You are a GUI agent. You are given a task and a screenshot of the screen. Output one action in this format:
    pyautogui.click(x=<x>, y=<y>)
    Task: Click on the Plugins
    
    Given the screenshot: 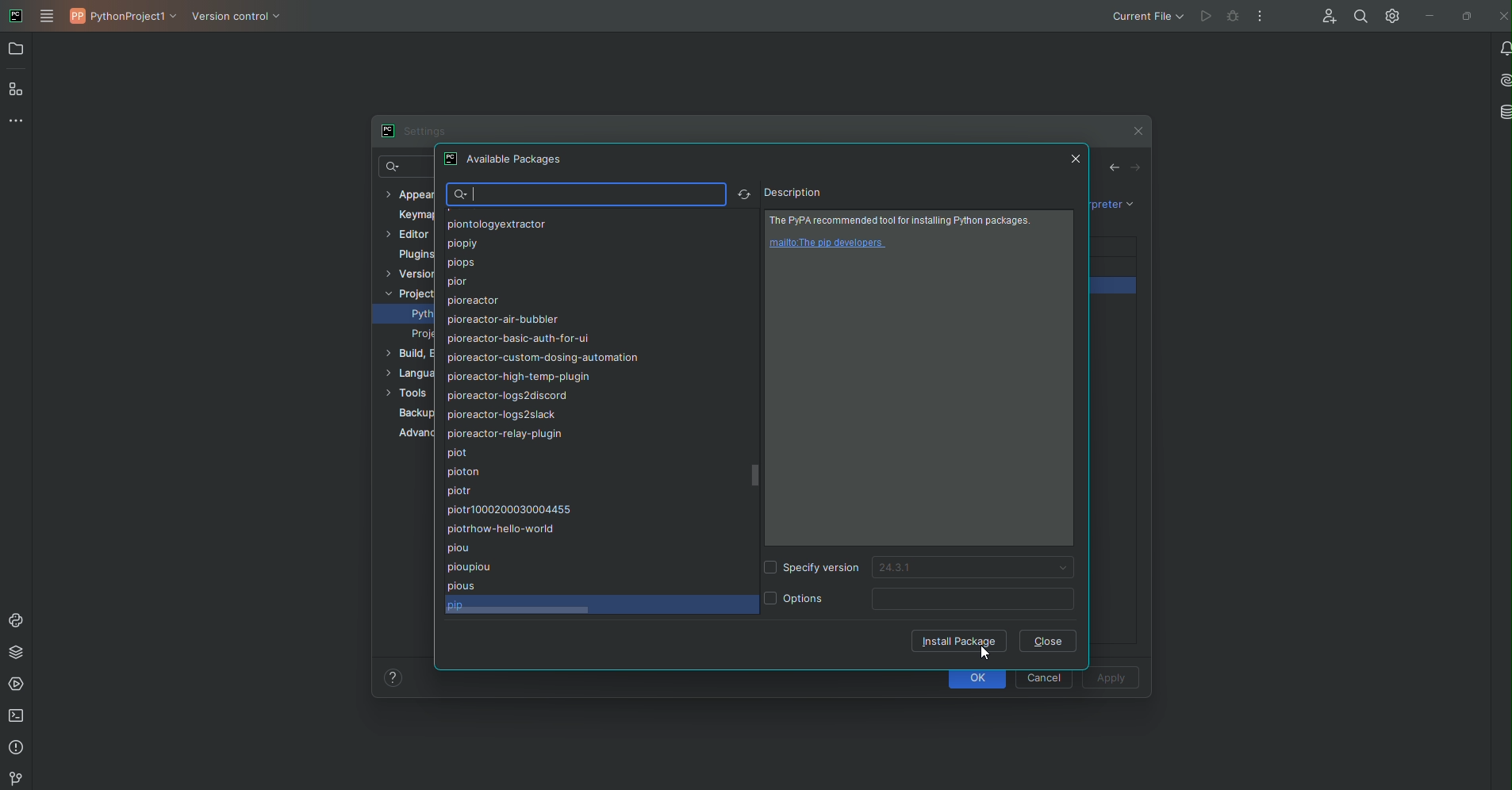 What is the action you would take?
    pyautogui.click(x=413, y=255)
    